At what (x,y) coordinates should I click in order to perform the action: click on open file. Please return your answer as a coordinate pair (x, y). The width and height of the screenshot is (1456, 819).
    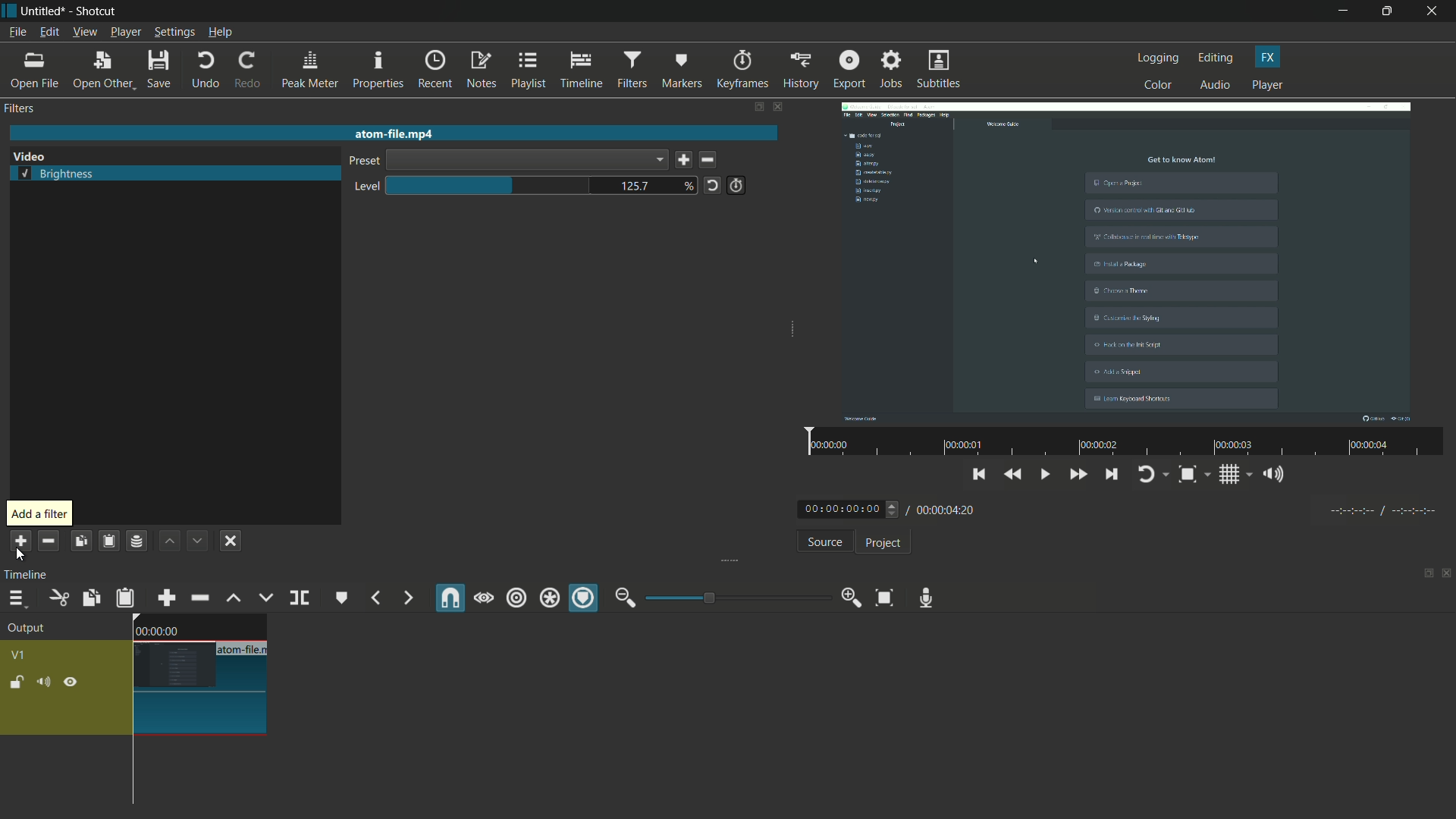
    Looking at the image, I should click on (36, 71).